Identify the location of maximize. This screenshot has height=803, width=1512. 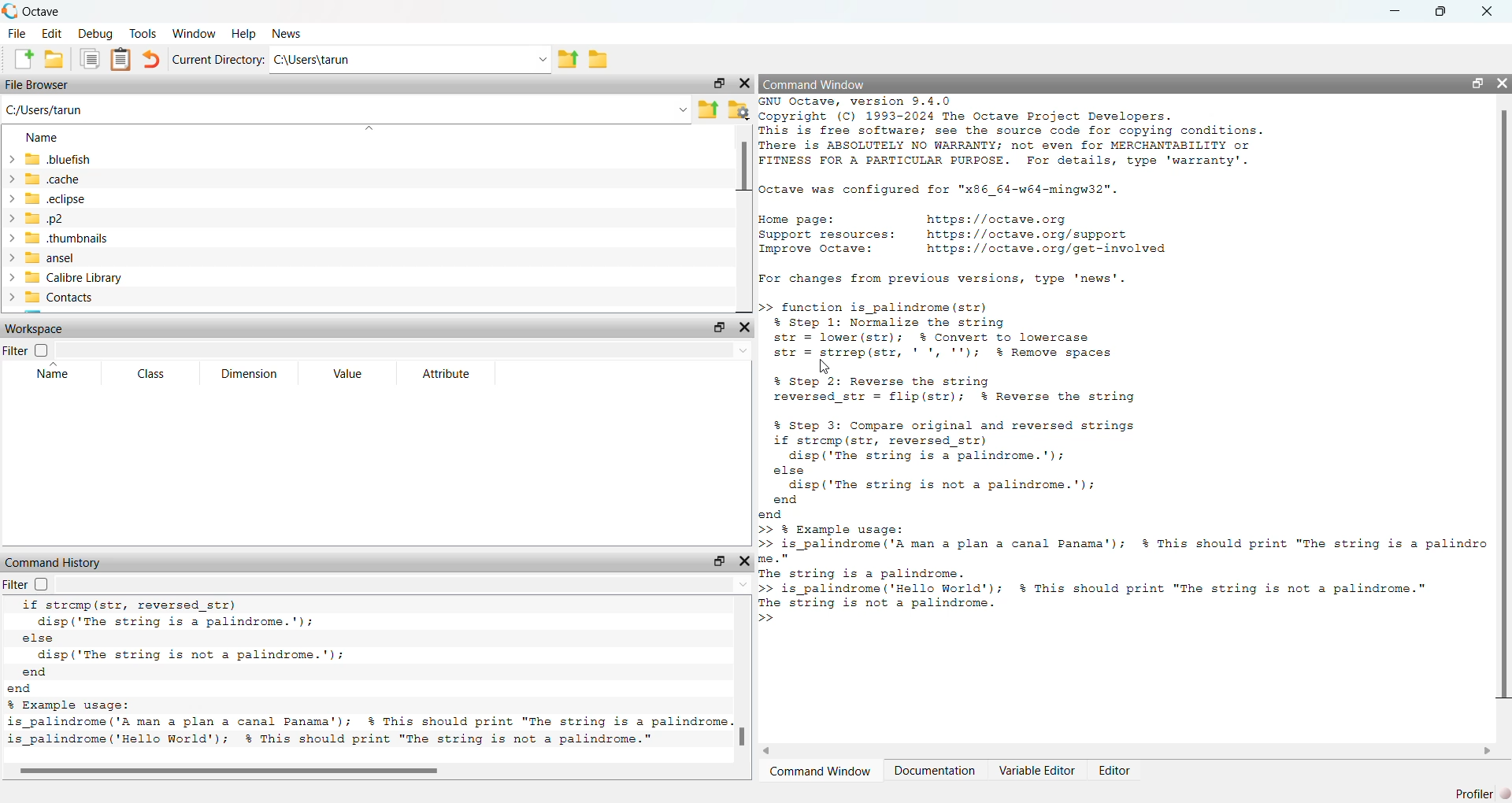
(1443, 10).